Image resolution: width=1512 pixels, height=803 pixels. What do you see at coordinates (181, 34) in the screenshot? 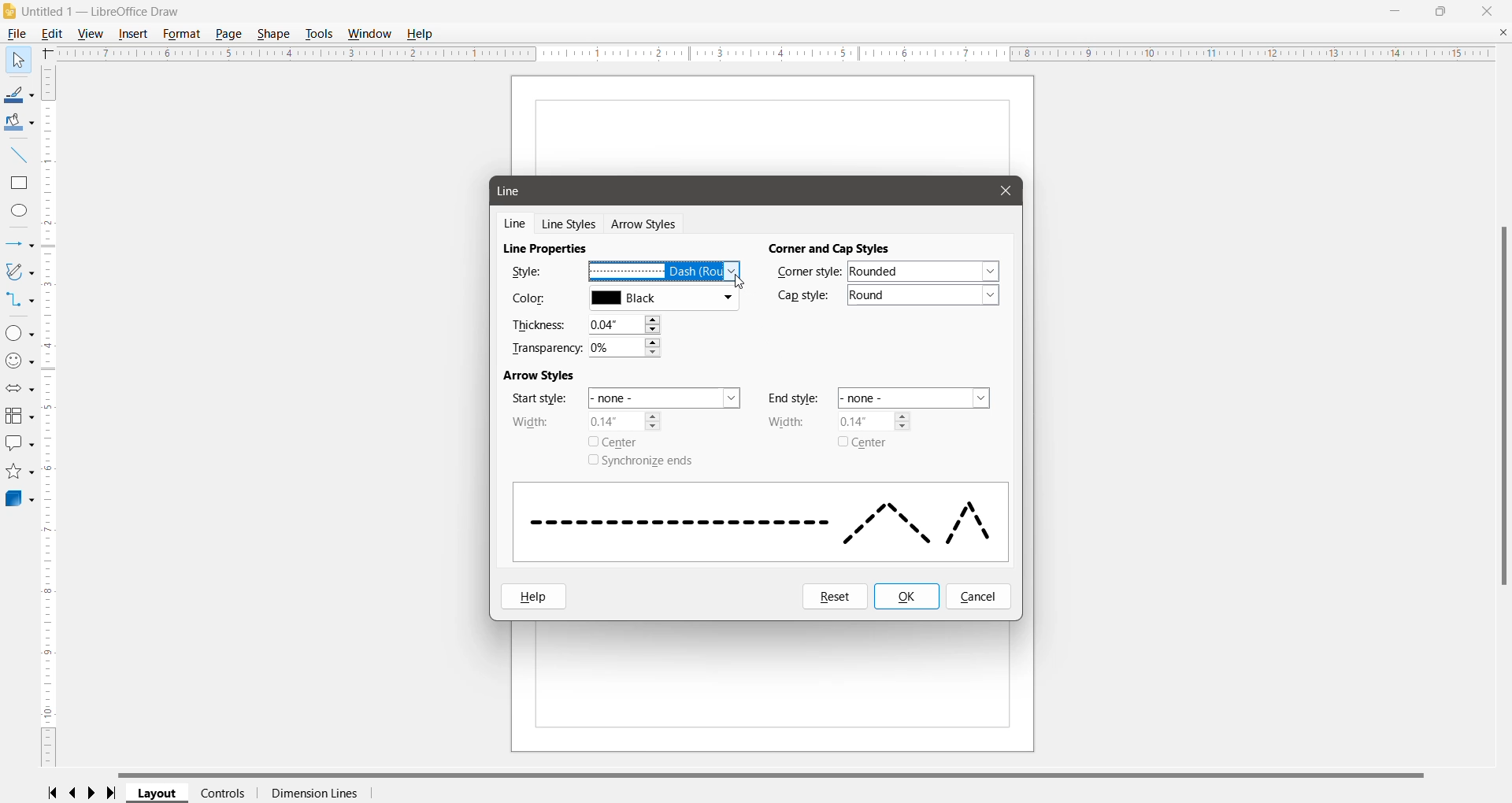
I see `Format` at bounding box center [181, 34].